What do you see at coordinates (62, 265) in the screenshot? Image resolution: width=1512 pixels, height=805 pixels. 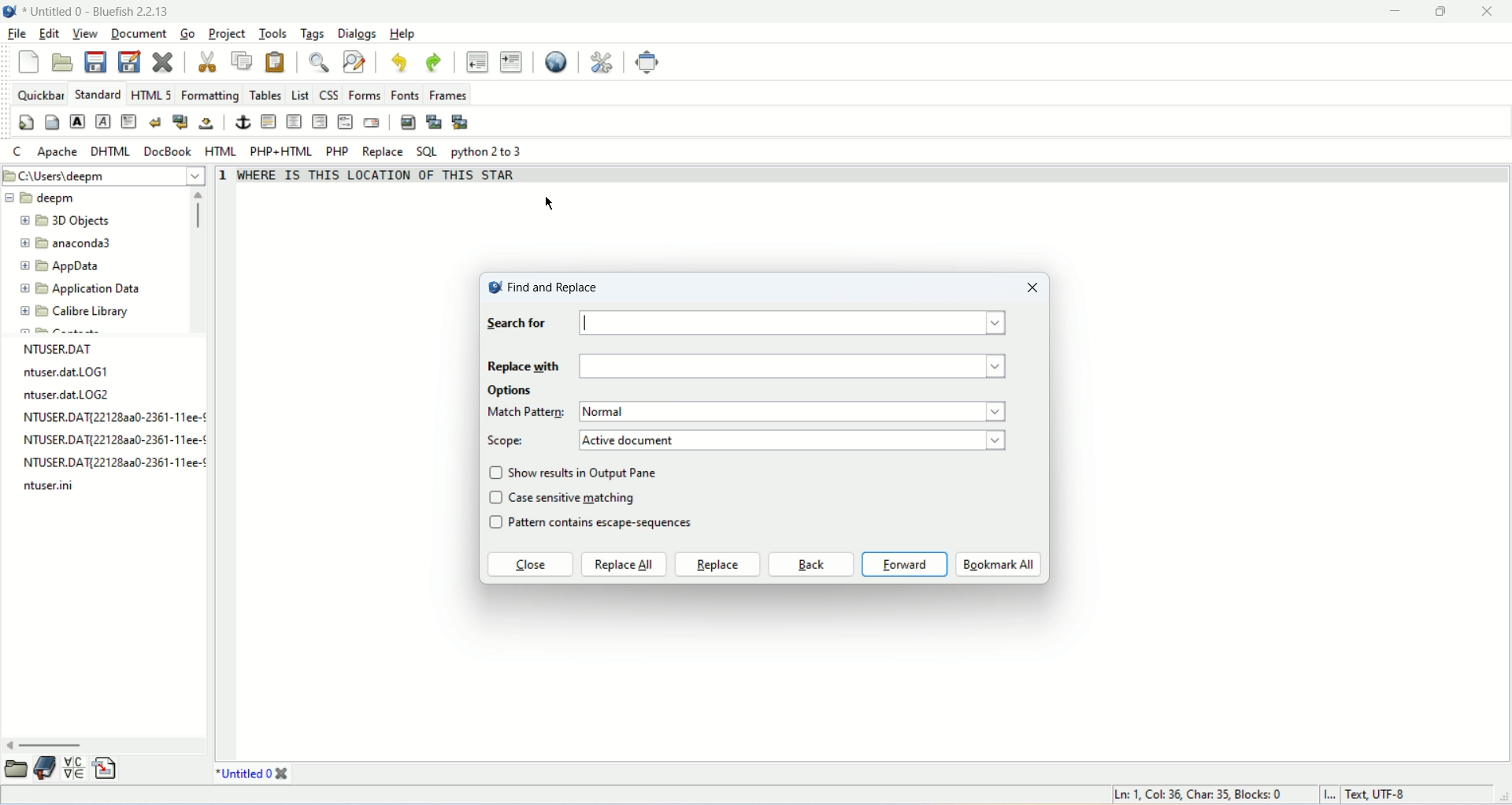 I see `AppData` at bounding box center [62, 265].